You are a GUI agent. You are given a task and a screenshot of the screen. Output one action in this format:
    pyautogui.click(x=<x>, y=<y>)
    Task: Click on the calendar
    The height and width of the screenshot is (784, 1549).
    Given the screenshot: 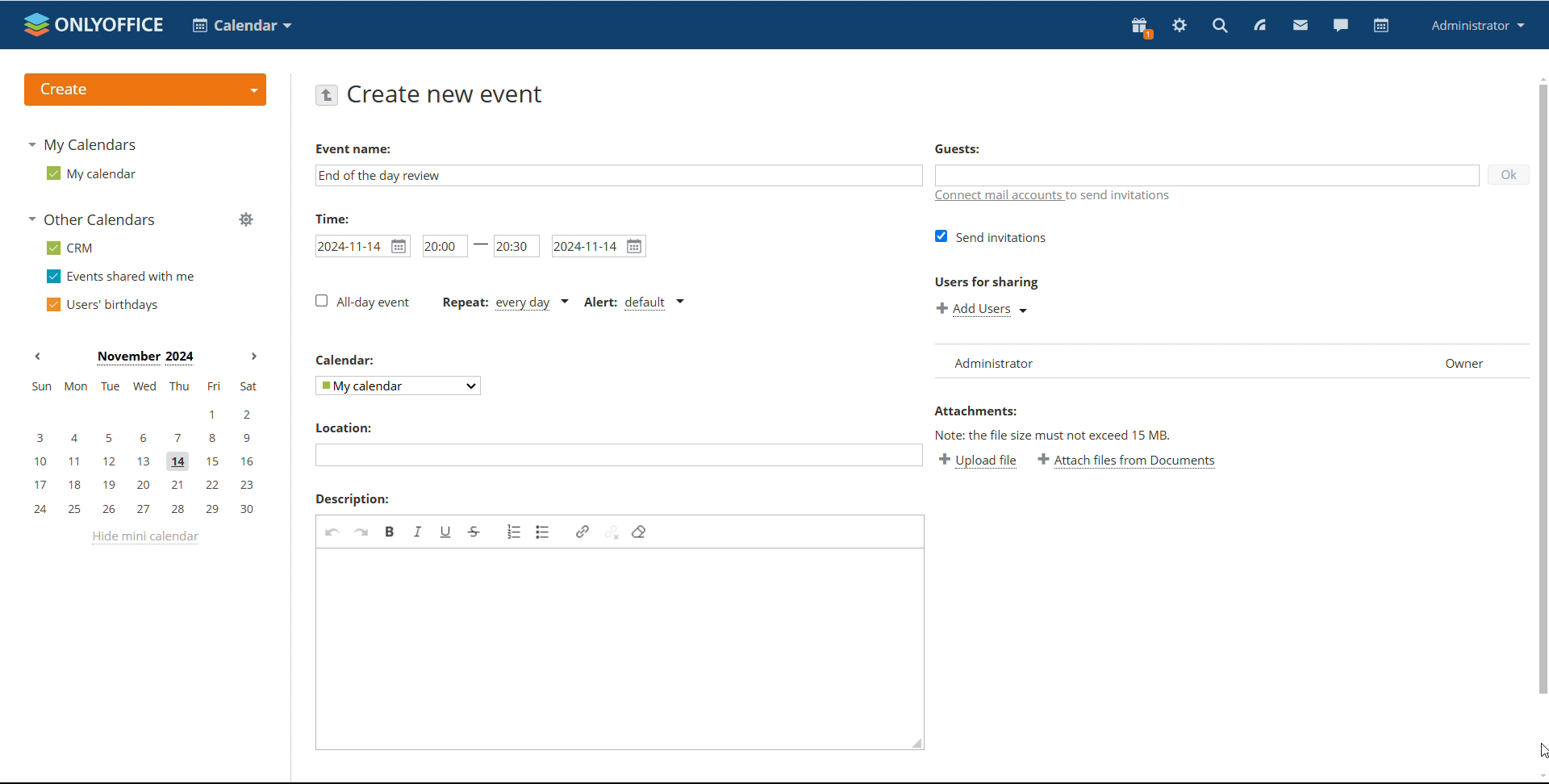 What is the action you would take?
    pyautogui.click(x=242, y=25)
    